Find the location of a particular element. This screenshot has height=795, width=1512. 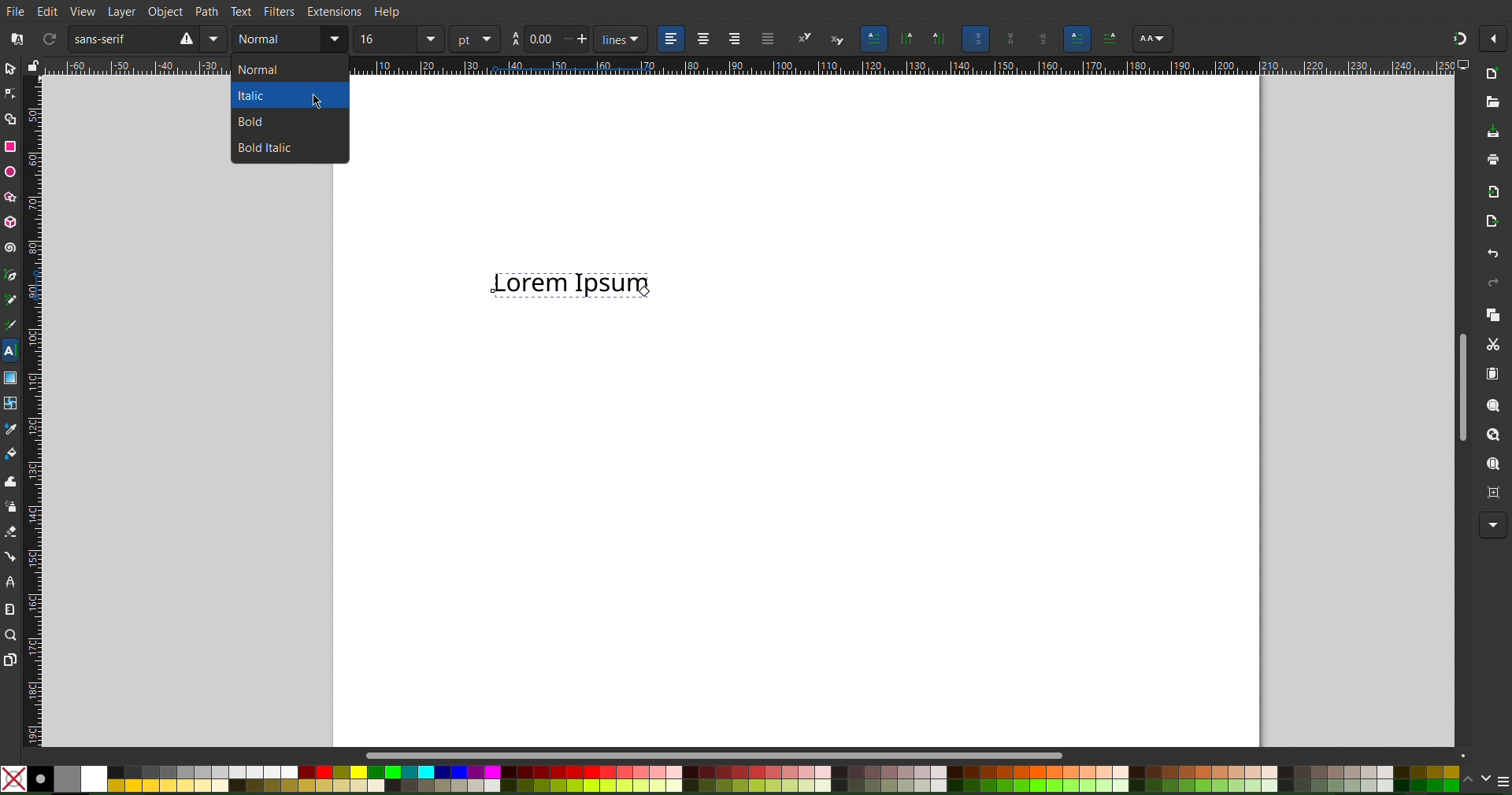

Edit is located at coordinates (45, 11).